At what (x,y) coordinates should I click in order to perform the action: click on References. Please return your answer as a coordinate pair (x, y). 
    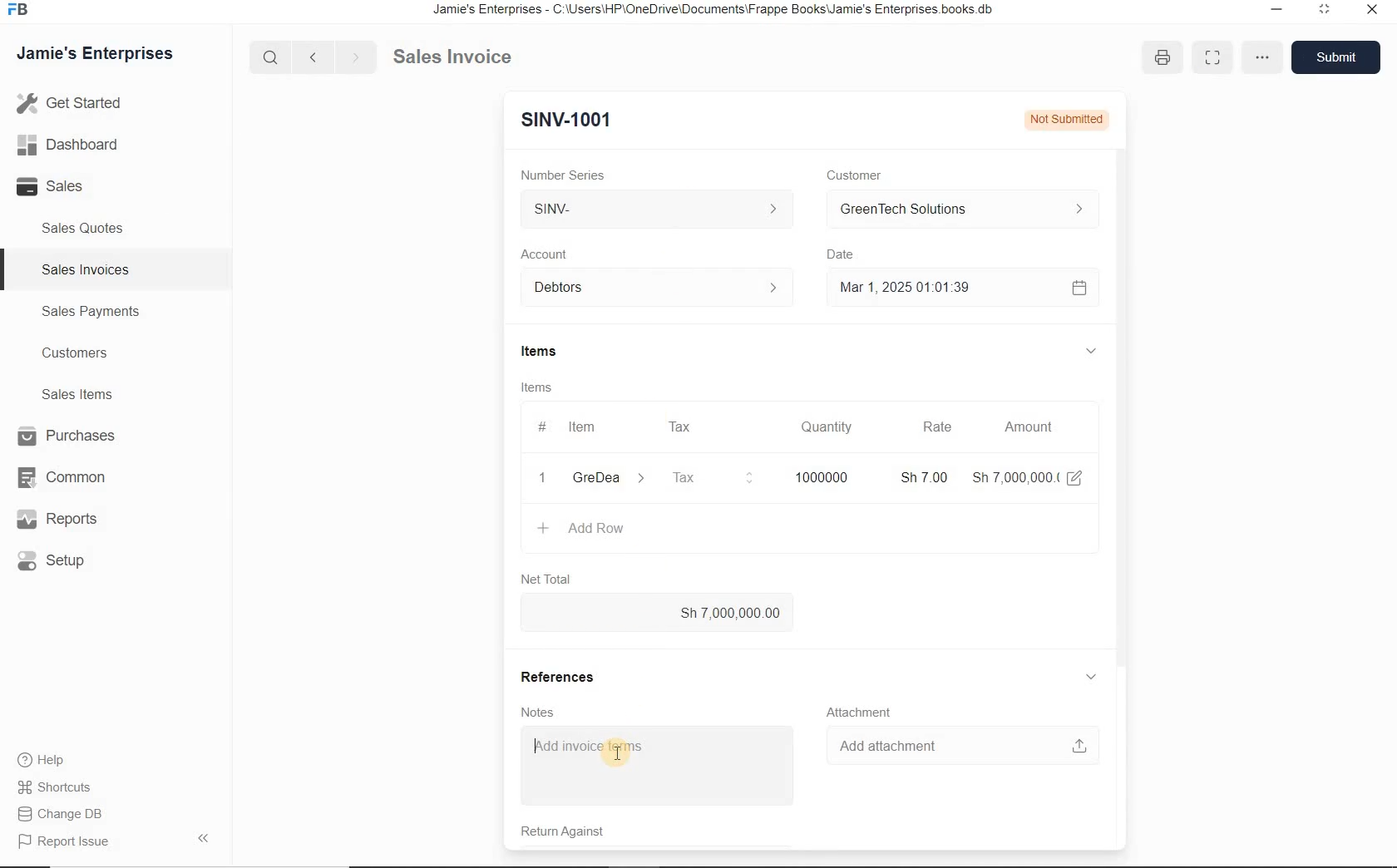
    Looking at the image, I should click on (562, 674).